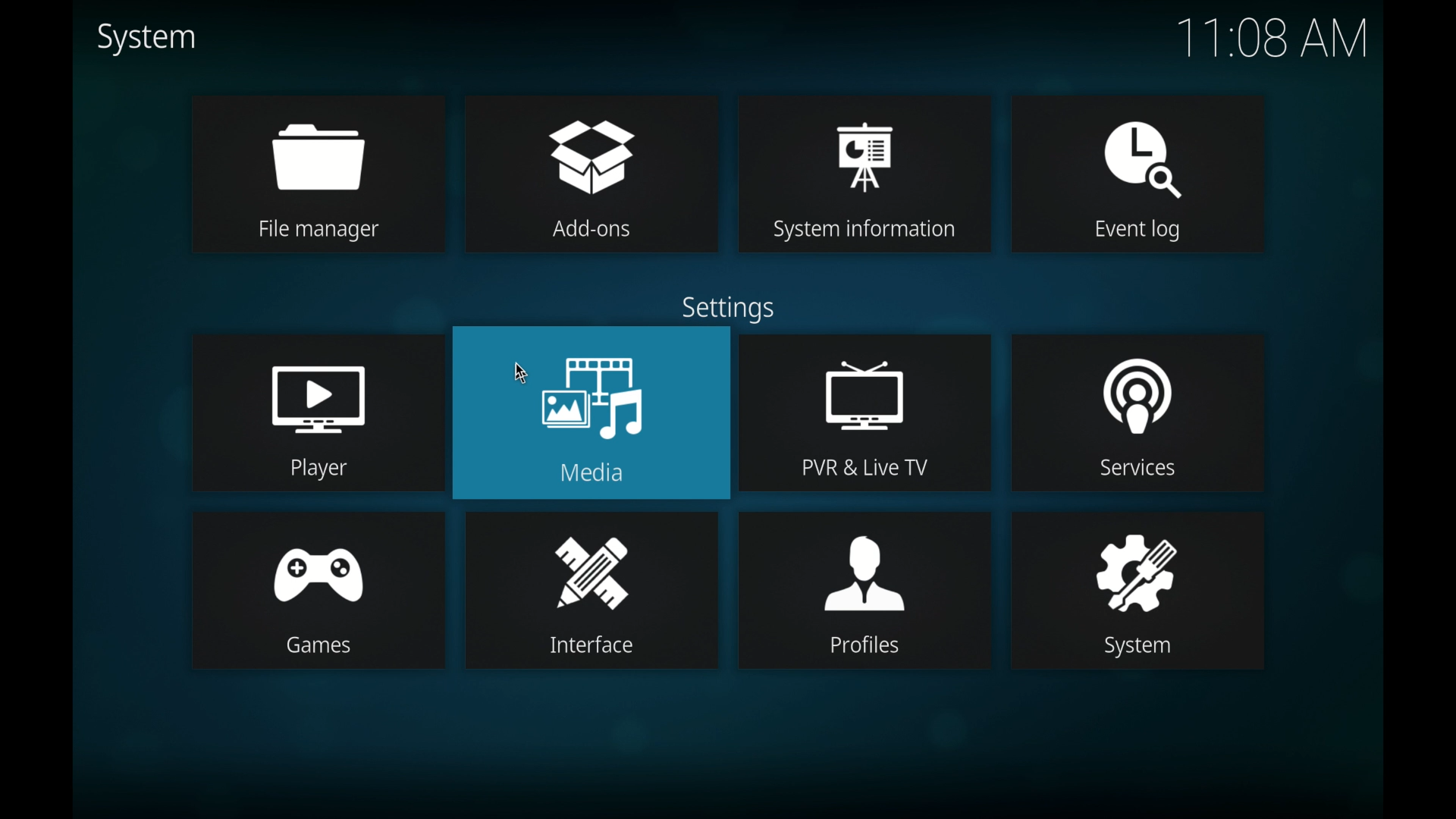 This screenshot has height=819, width=1456. What do you see at coordinates (864, 174) in the screenshot?
I see `system information` at bounding box center [864, 174].